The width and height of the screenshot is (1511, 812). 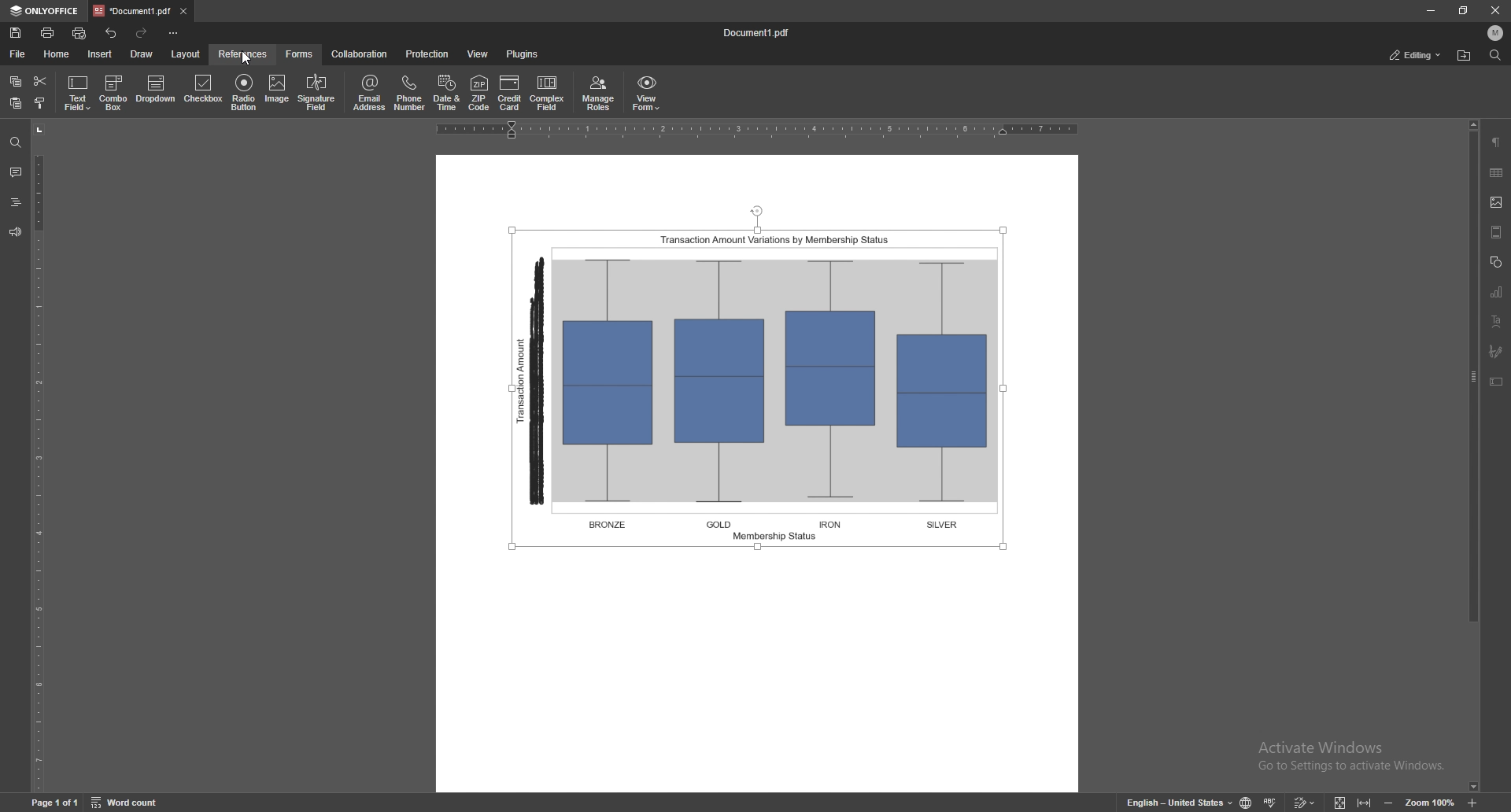 I want to click on file, so click(x=19, y=54).